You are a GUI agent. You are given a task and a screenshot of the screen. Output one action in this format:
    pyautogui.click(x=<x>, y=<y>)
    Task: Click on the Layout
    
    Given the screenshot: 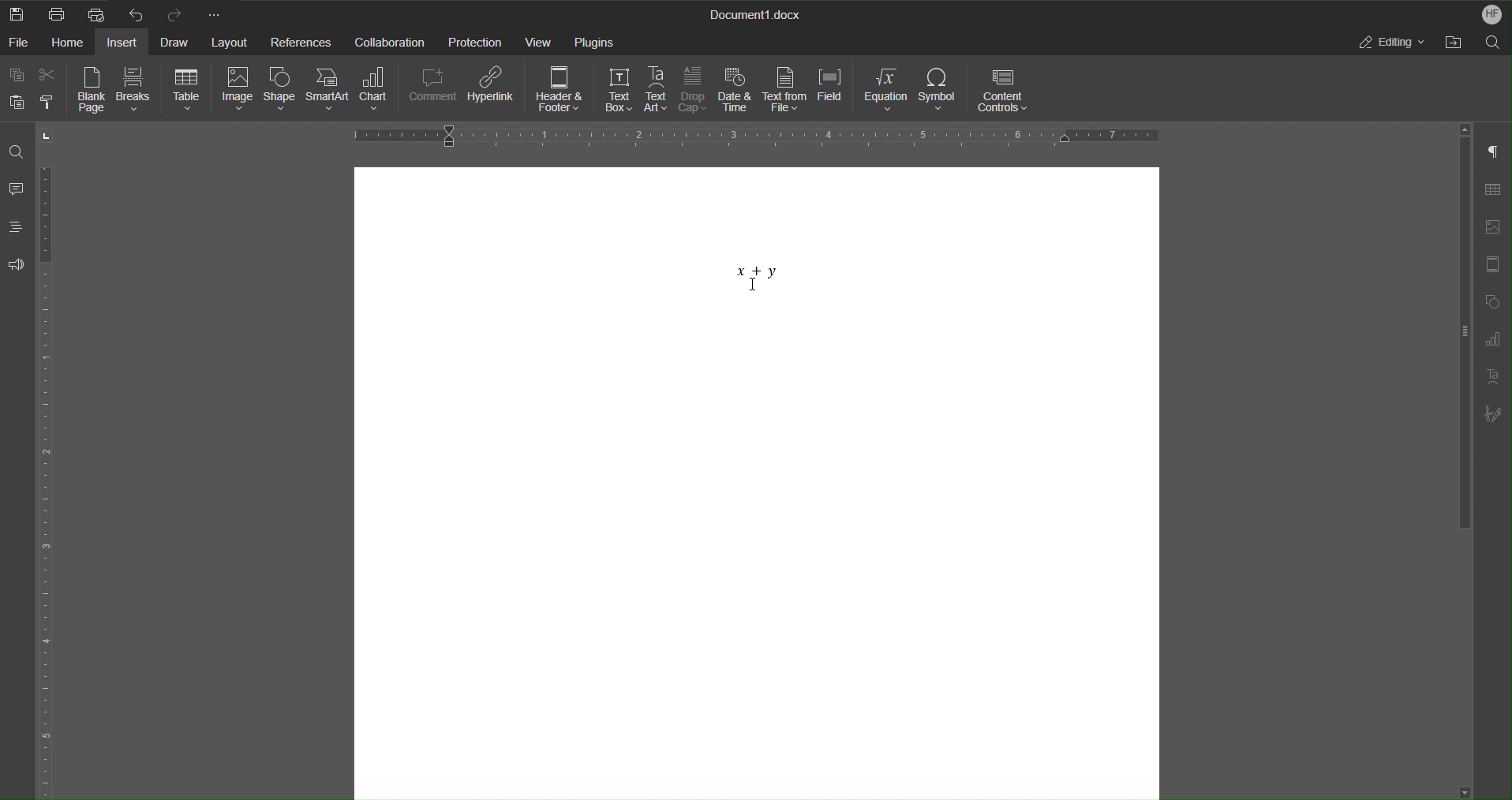 What is the action you would take?
    pyautogui.click(x=226, y=44)
    